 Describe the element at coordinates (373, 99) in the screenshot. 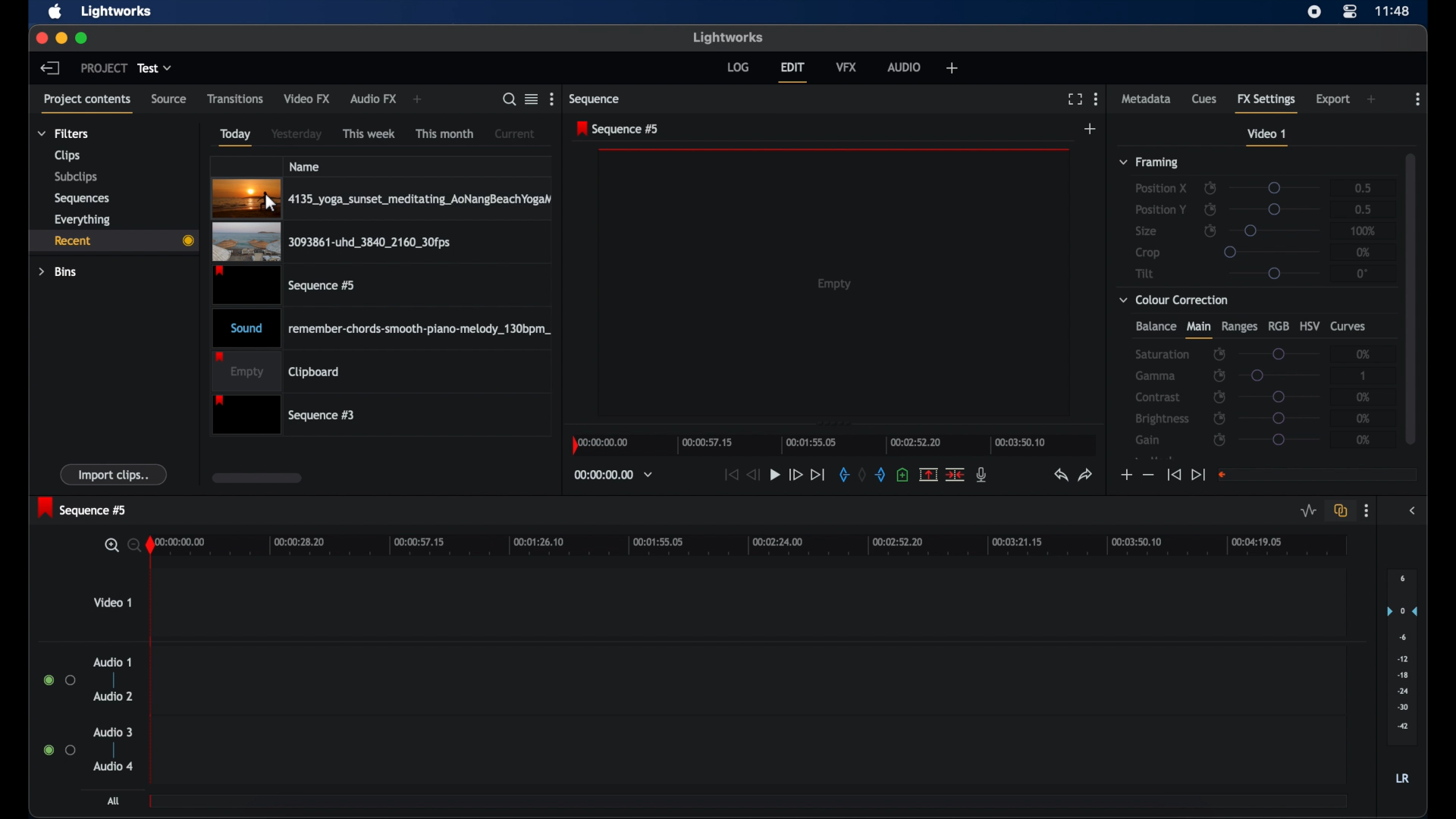

I see `audio fx` at that location.